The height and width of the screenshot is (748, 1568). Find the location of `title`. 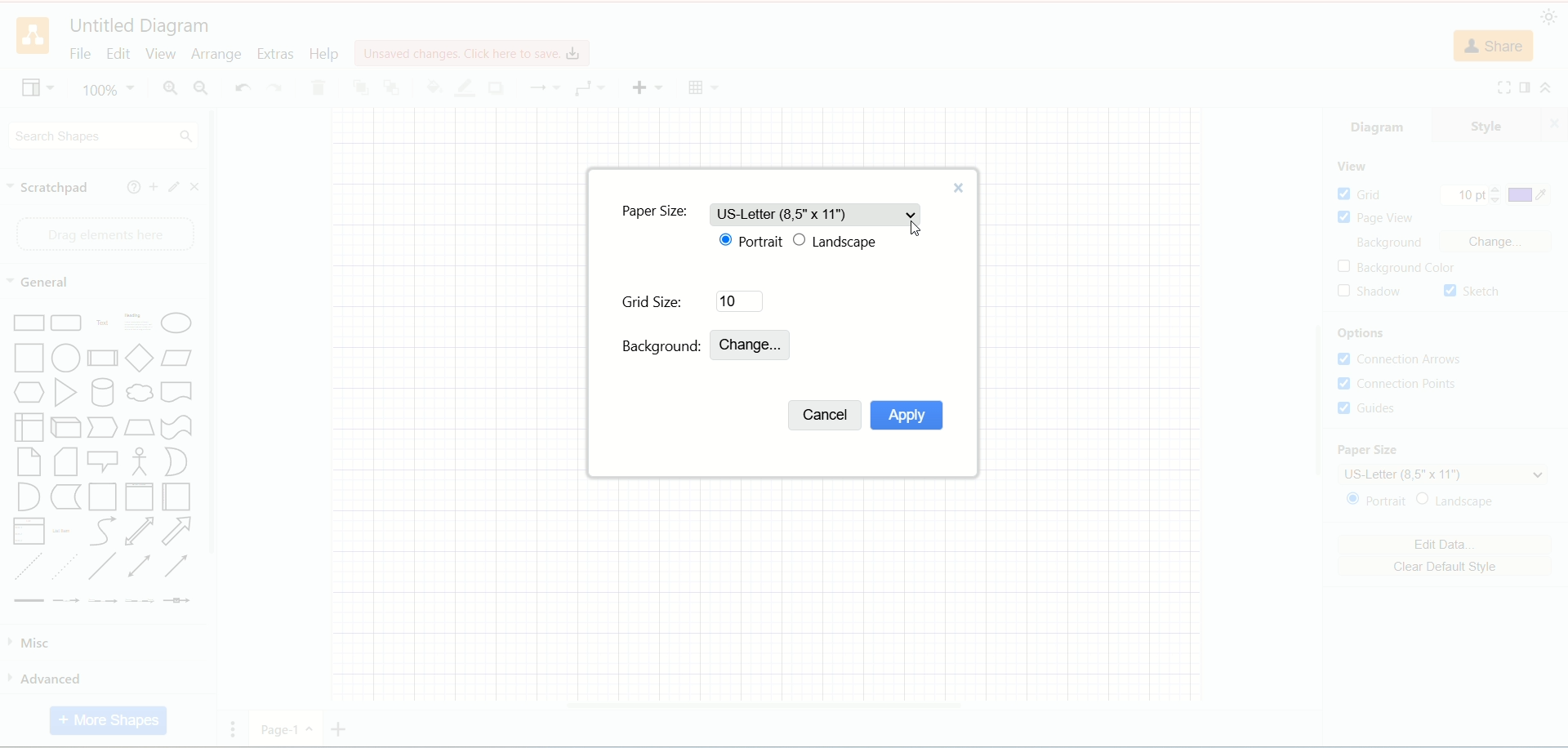

title is located at coordinates (137, 24).